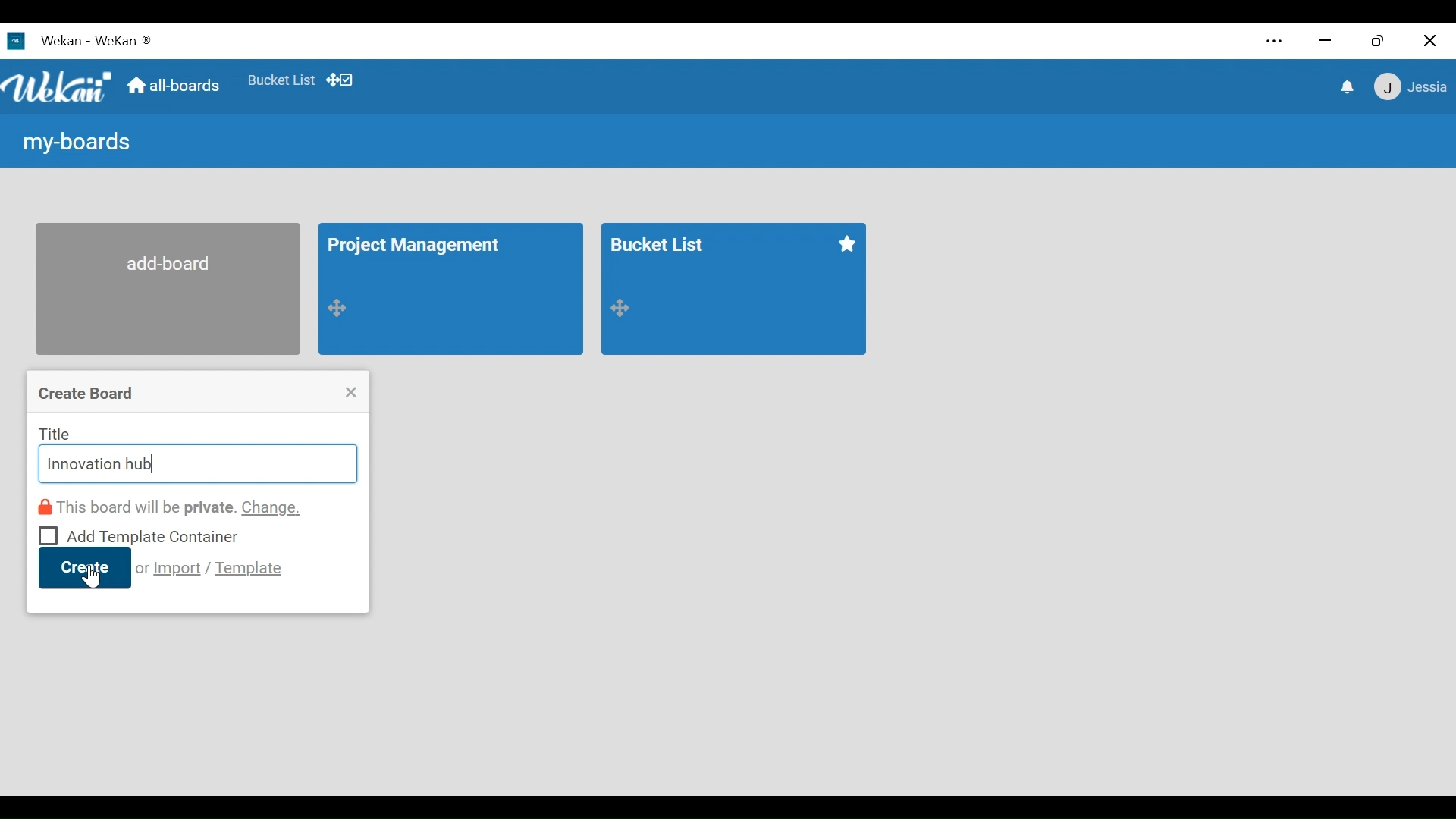  What do you see at coordinates (92, 577) in the screenshot?
I see `Cursor` at bounding box center [92, 577].